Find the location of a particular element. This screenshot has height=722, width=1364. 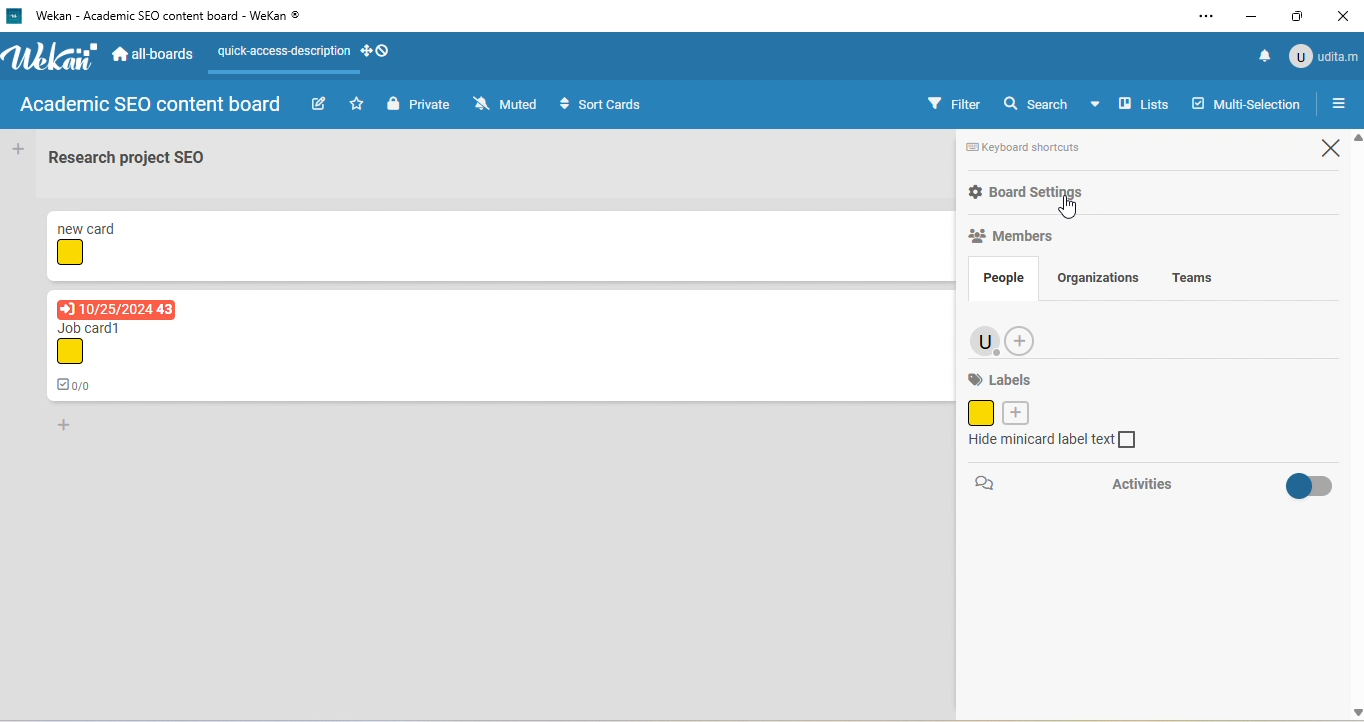

maximize is located at coordinates (1301, 15).